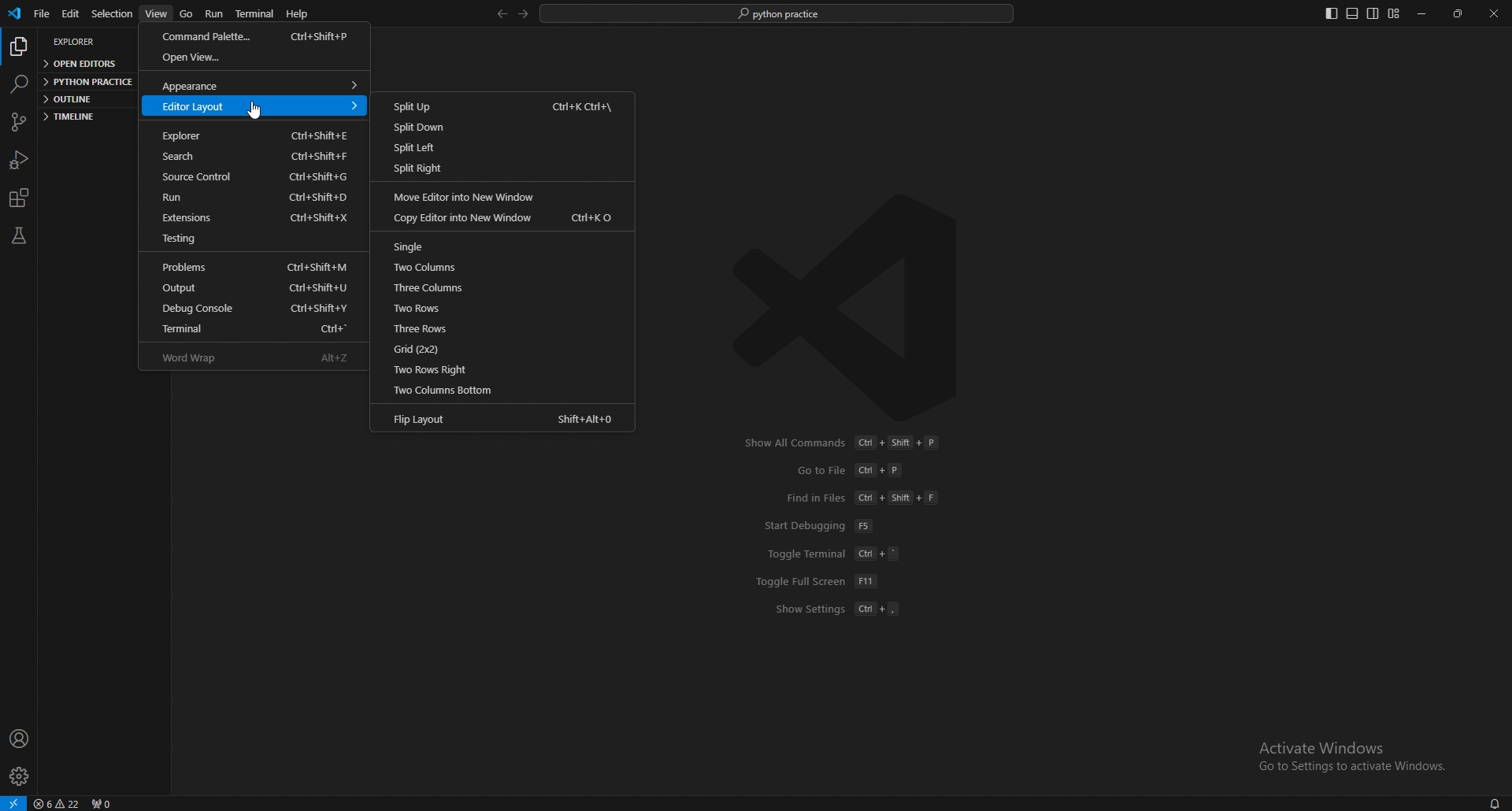 Image resolution: width=1512 pixels, height=811 pixels. I want to click on go, so click(186, 13).